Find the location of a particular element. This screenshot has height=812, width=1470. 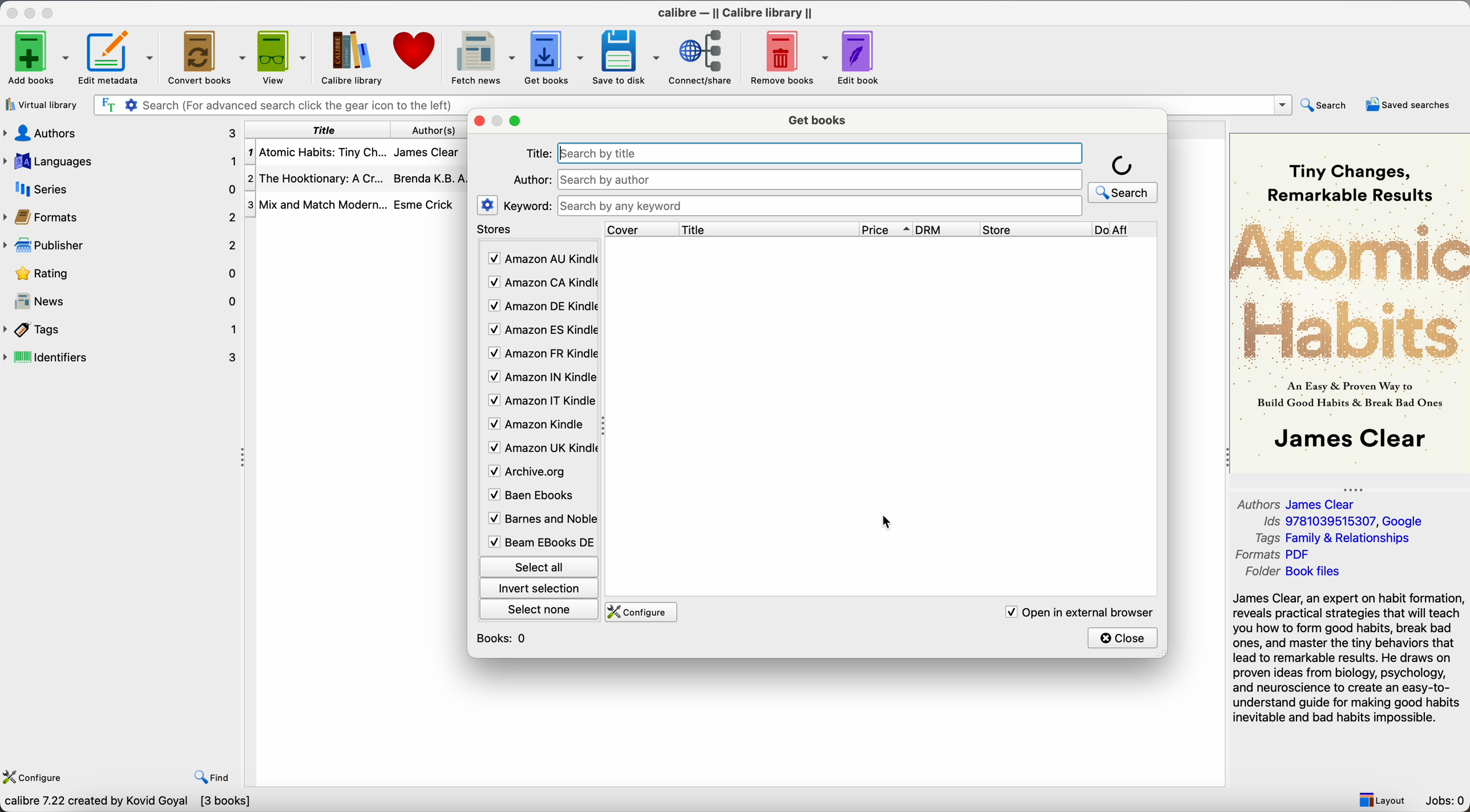

Author: is located at coordinates (532, 180).